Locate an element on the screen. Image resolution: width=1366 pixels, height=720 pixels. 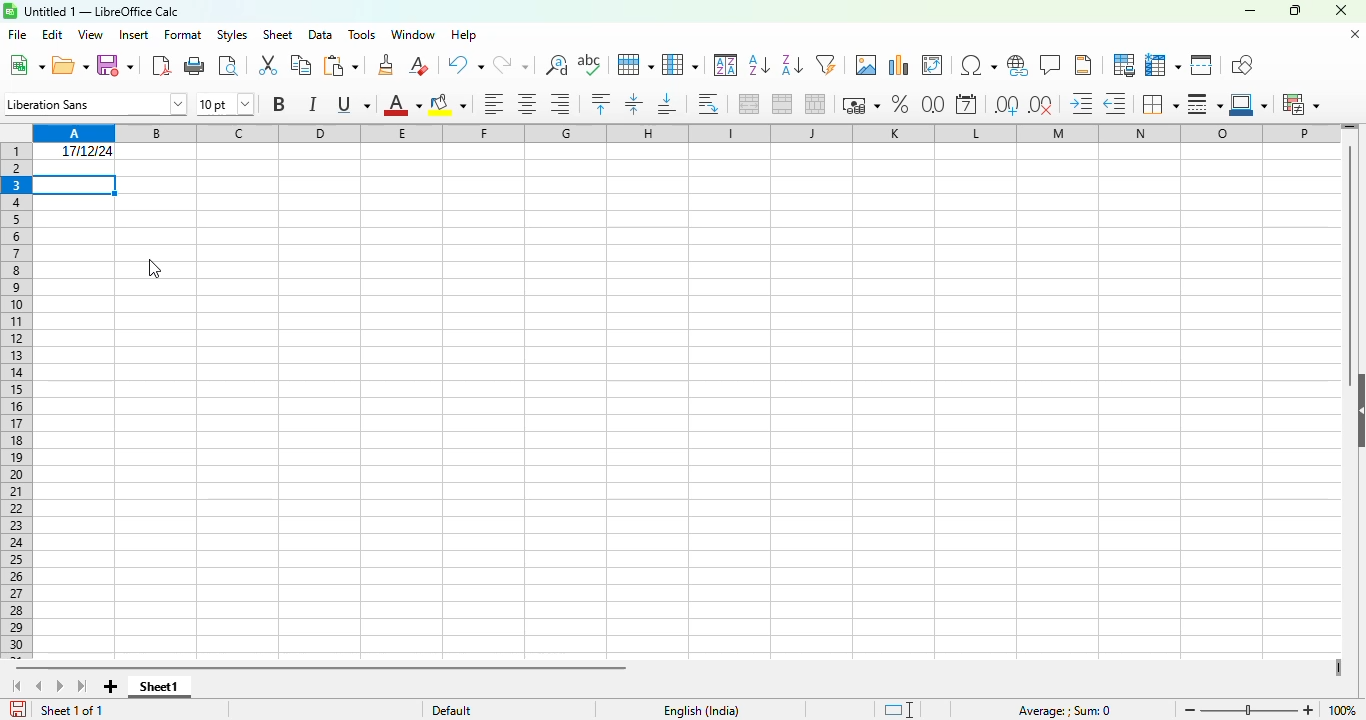
italic is located at coordinates (312, 103).